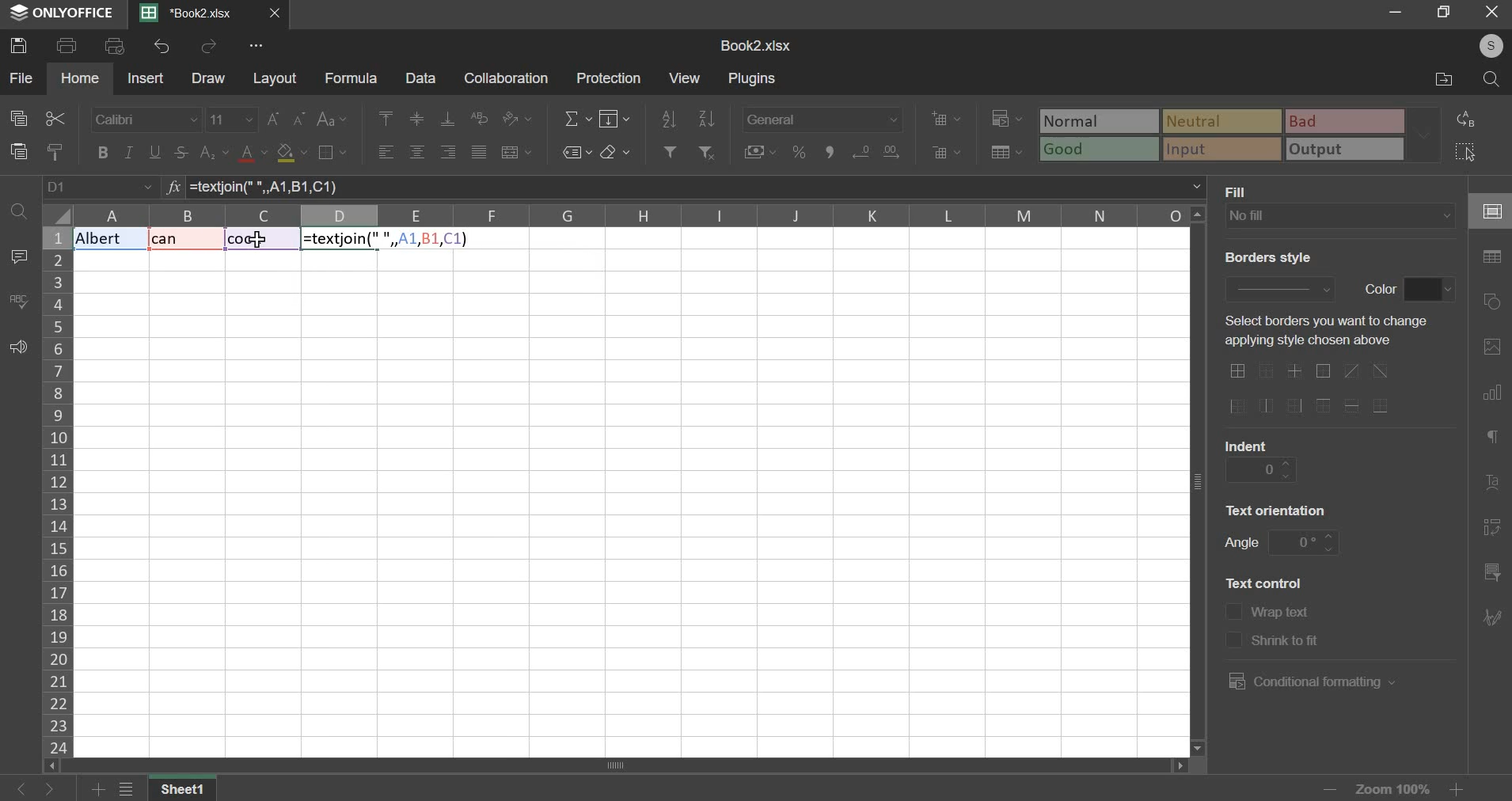 The height and width of the screenshot is (801, 1512). What do you see at coordinates (761, 151) in the screenshot?
I see `accounting style` at bounding box center [761, 151].